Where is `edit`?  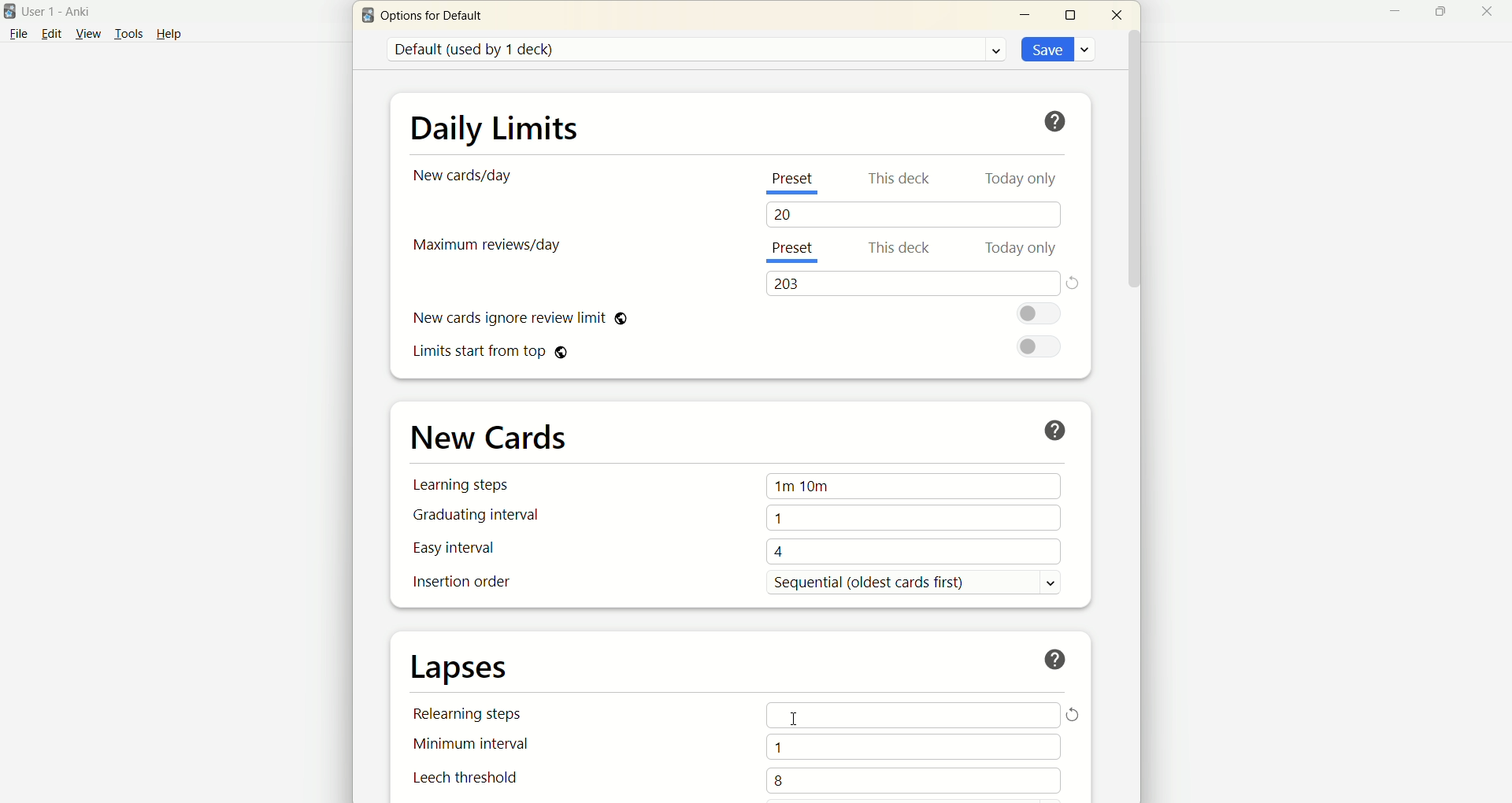 edit is located at coordinates (50, 33).